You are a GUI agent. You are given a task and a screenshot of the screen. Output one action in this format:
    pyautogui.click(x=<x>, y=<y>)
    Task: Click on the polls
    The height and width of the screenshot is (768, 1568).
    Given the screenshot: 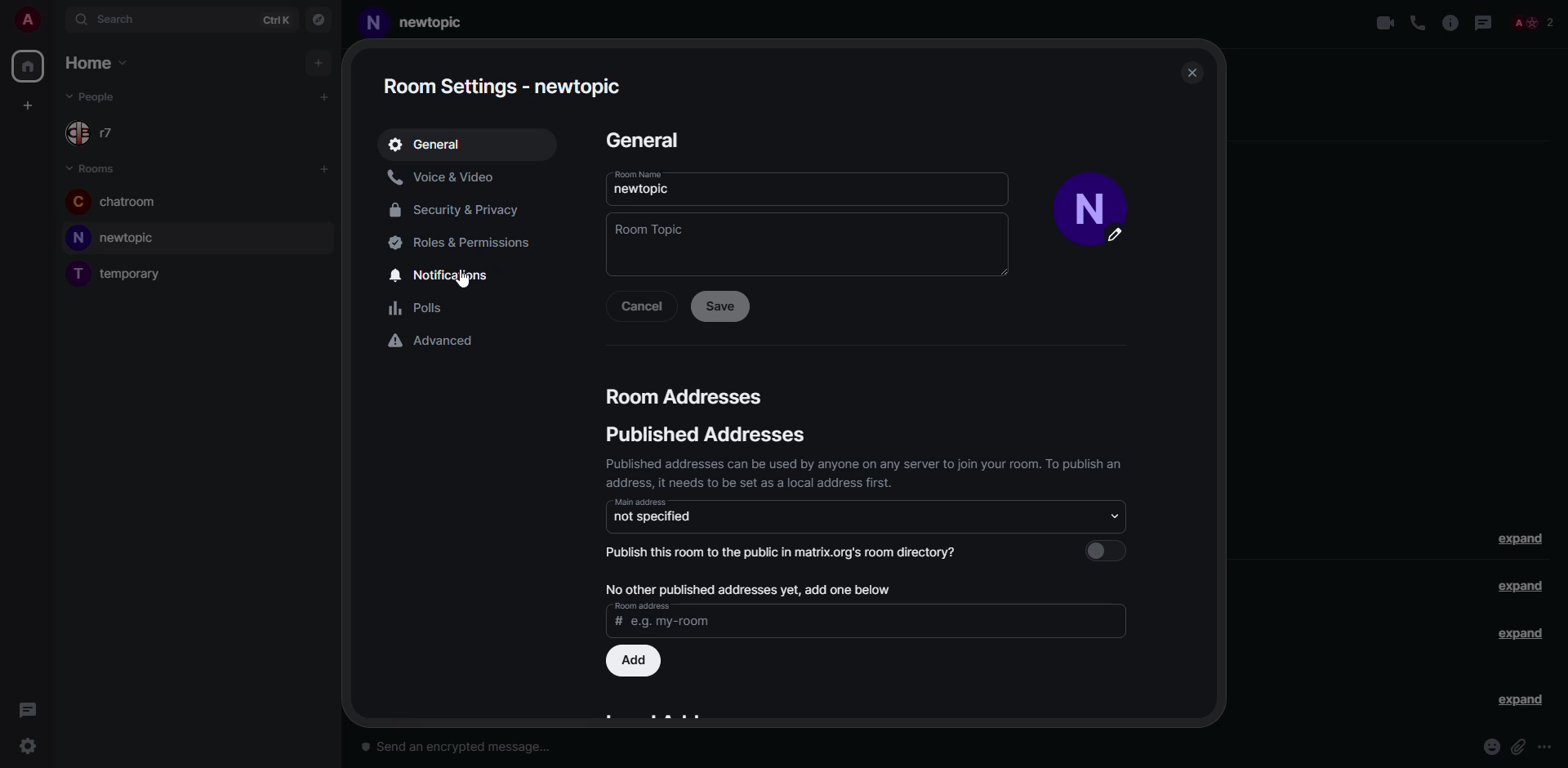 What is the action you would take?
    pyautogui.click(x=426, y=308)
    